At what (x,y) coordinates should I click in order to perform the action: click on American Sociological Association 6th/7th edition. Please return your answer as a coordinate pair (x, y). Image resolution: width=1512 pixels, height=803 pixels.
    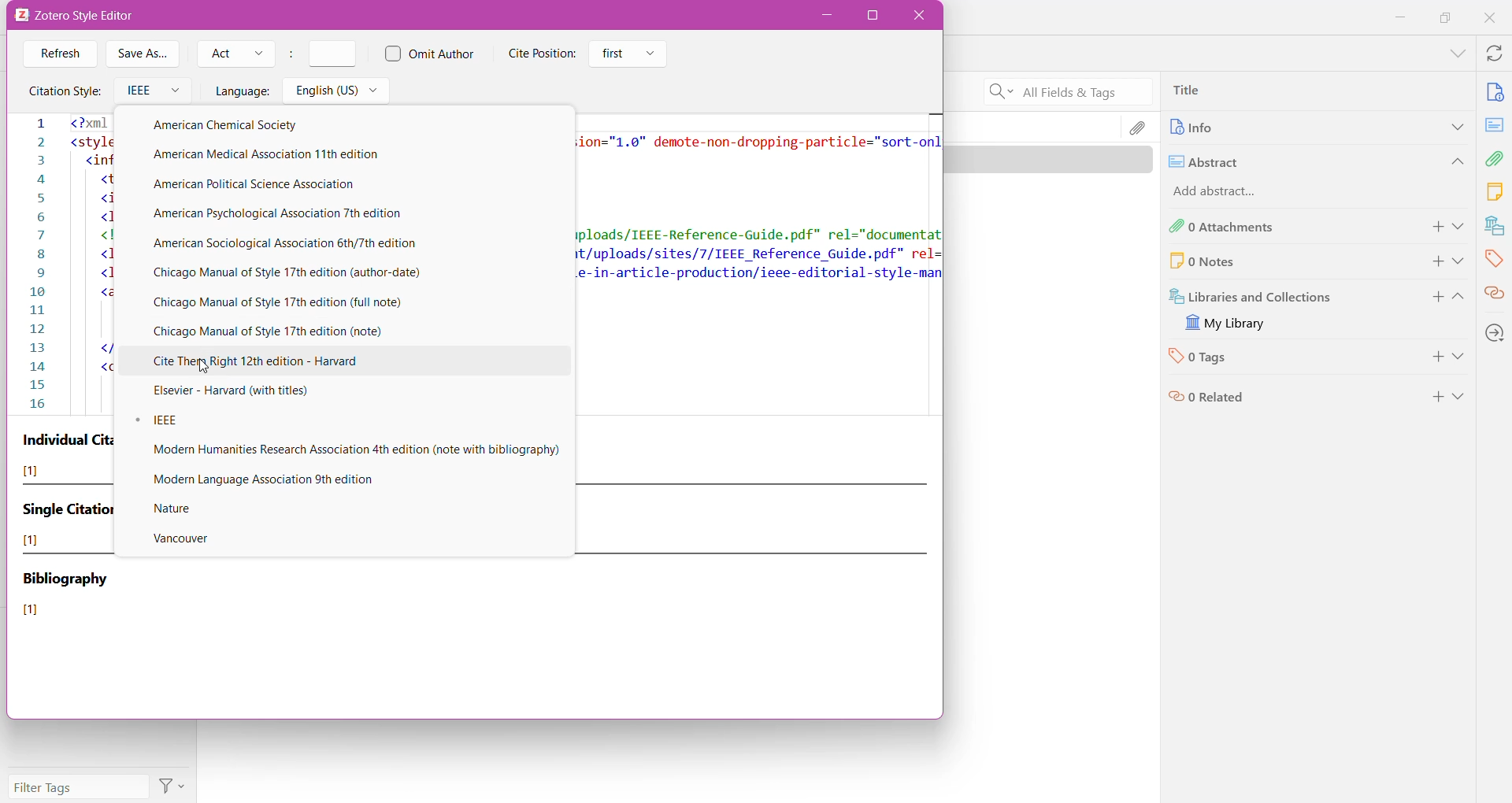
    Looking at the image, I should click on (295, 244).